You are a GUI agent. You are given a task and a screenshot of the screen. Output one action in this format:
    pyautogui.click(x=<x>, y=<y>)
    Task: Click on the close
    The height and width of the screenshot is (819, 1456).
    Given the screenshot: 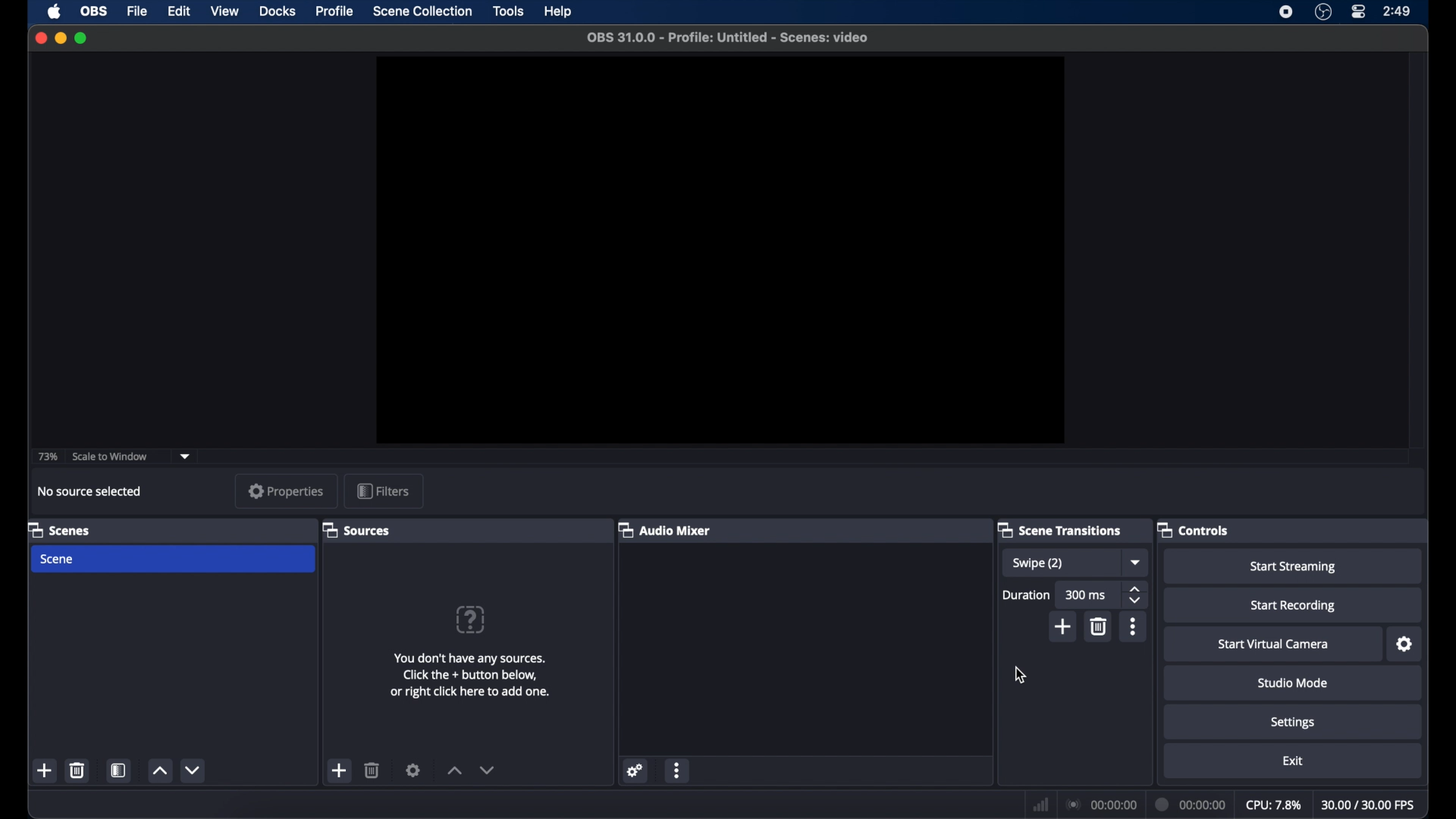 What is the action you would take?
    pyautogui.click(x=40, y=38)
    